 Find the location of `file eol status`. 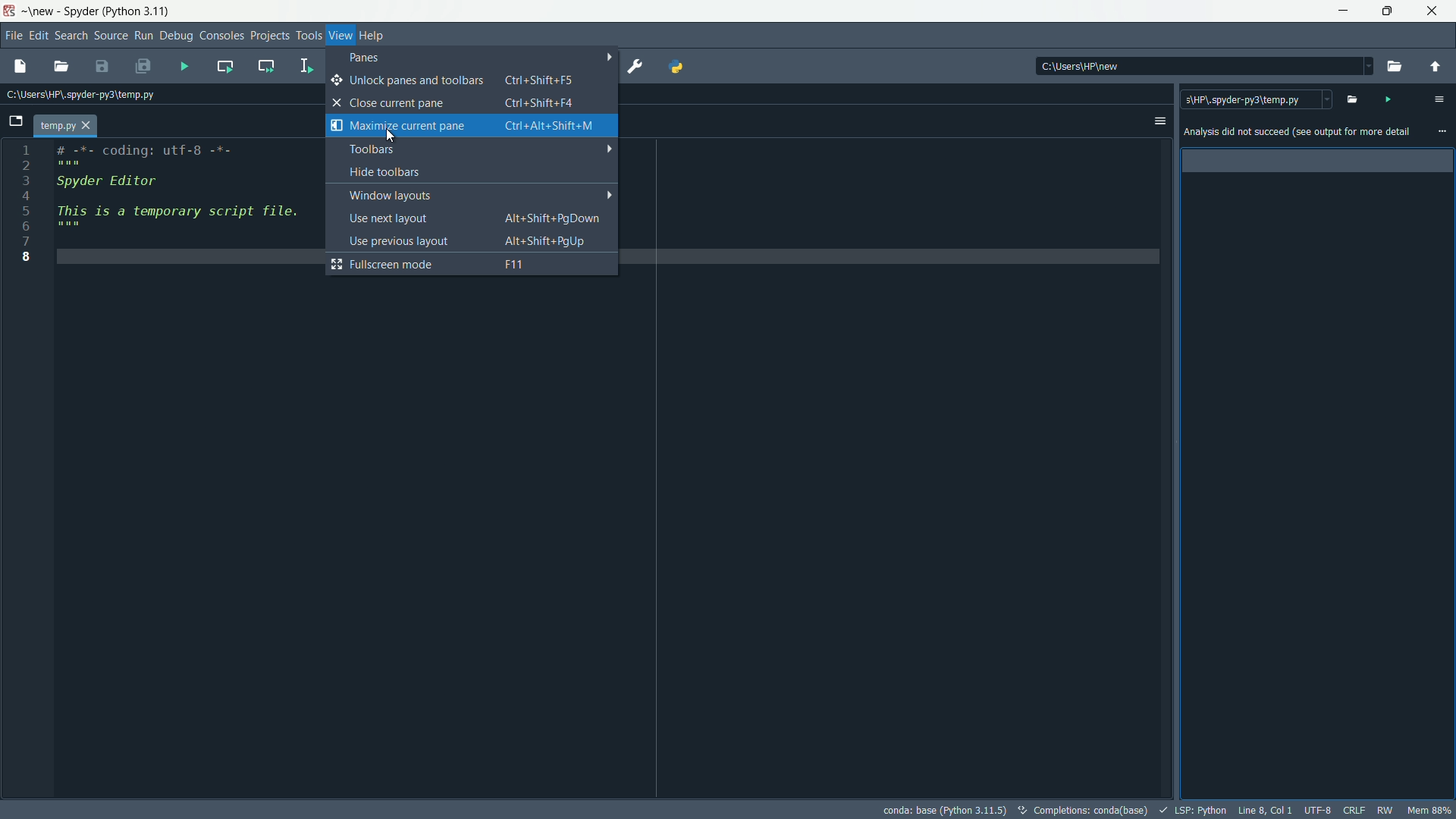

file eol status is located at coordinates (1354, 809).